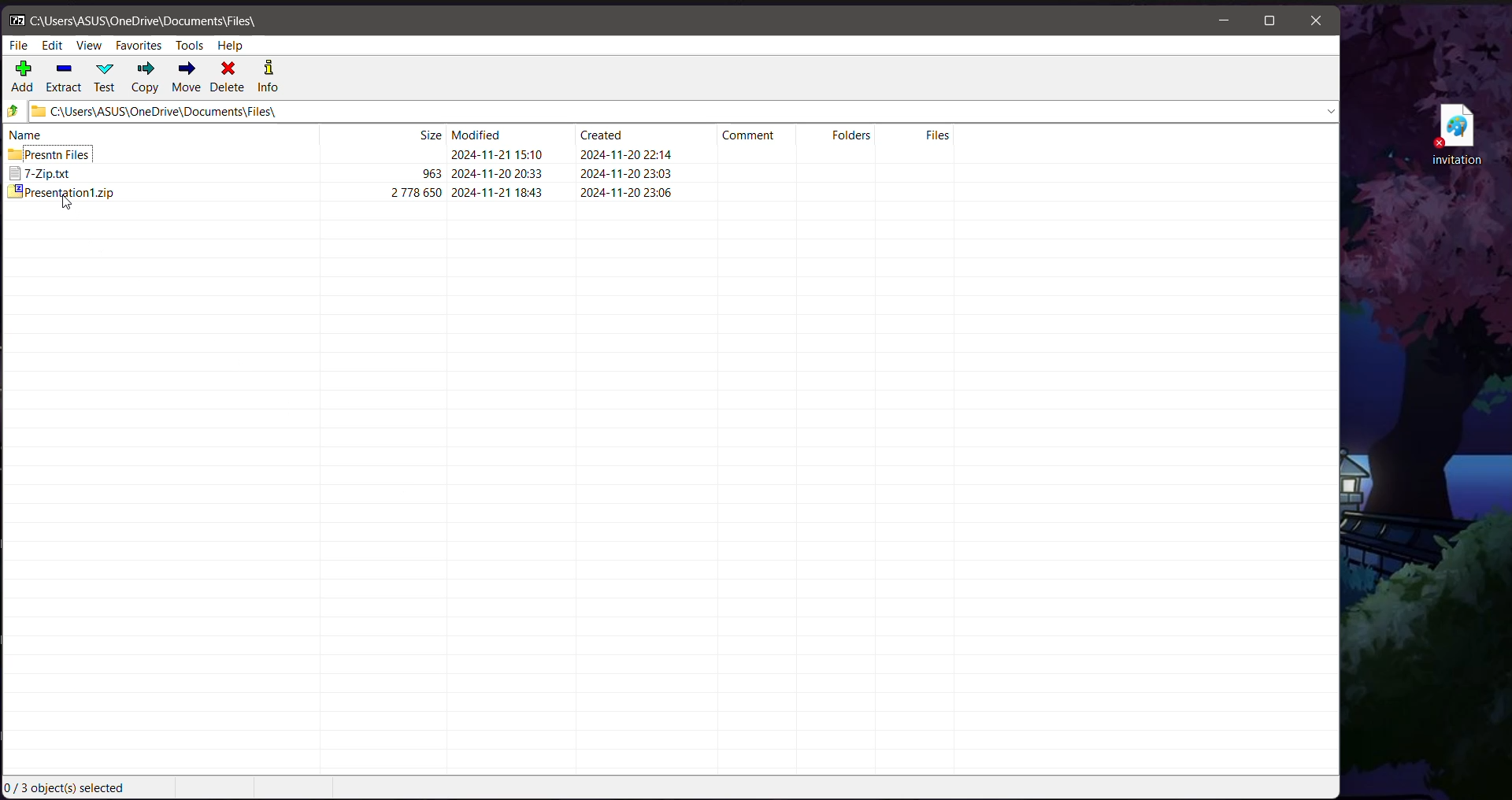 This screenshot has height=800, width=1512. What do you see at coordinates (17, 20) in the screenshot?
I see `Application Logo` at bounding box center [17, 20].